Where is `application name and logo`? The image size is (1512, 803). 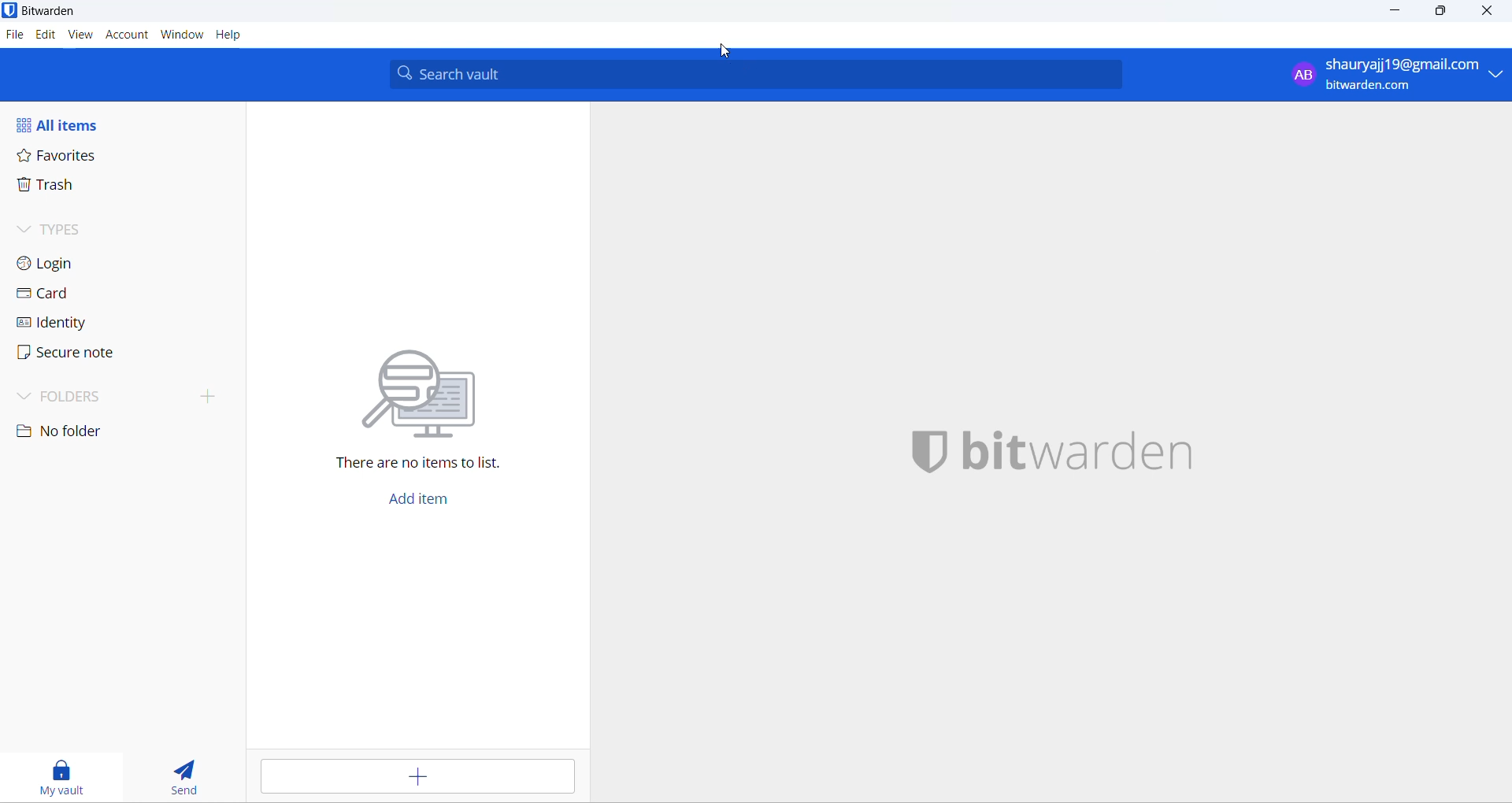
application name and logo is located at coordinates (47, 10).